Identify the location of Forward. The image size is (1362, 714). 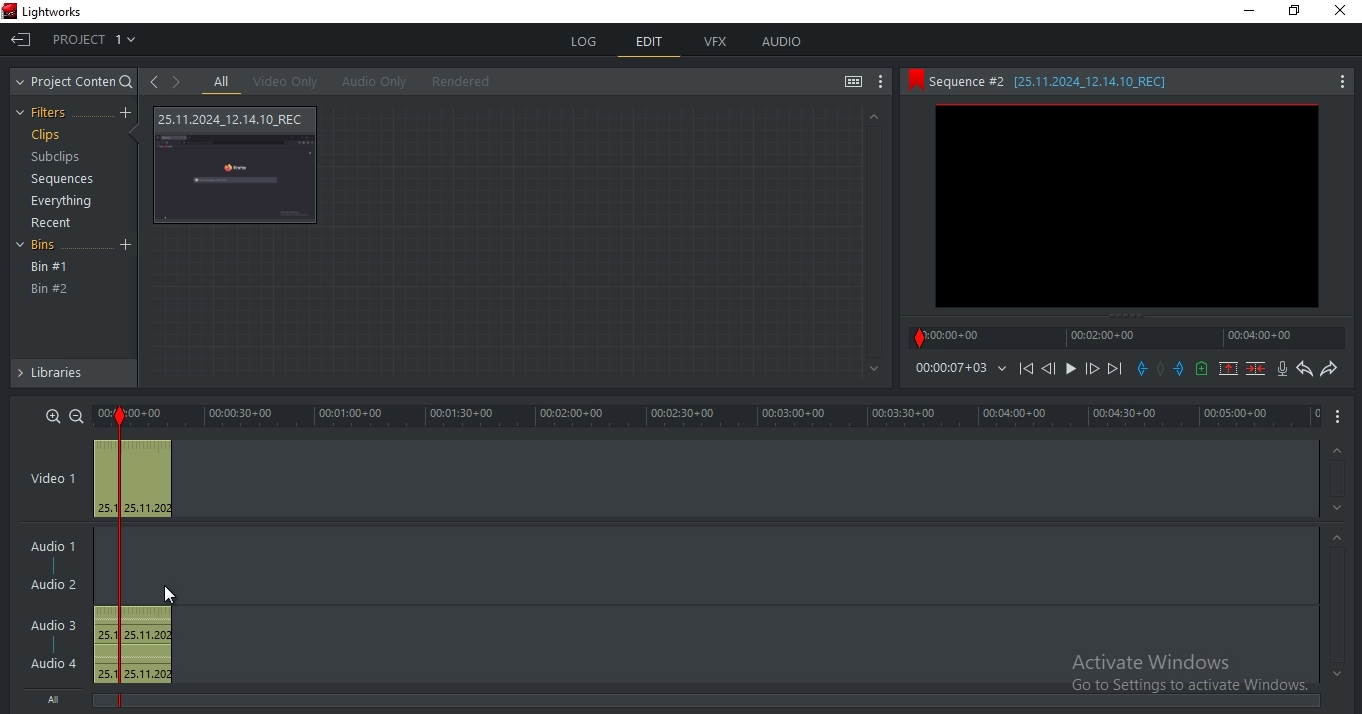
(1093, 369).